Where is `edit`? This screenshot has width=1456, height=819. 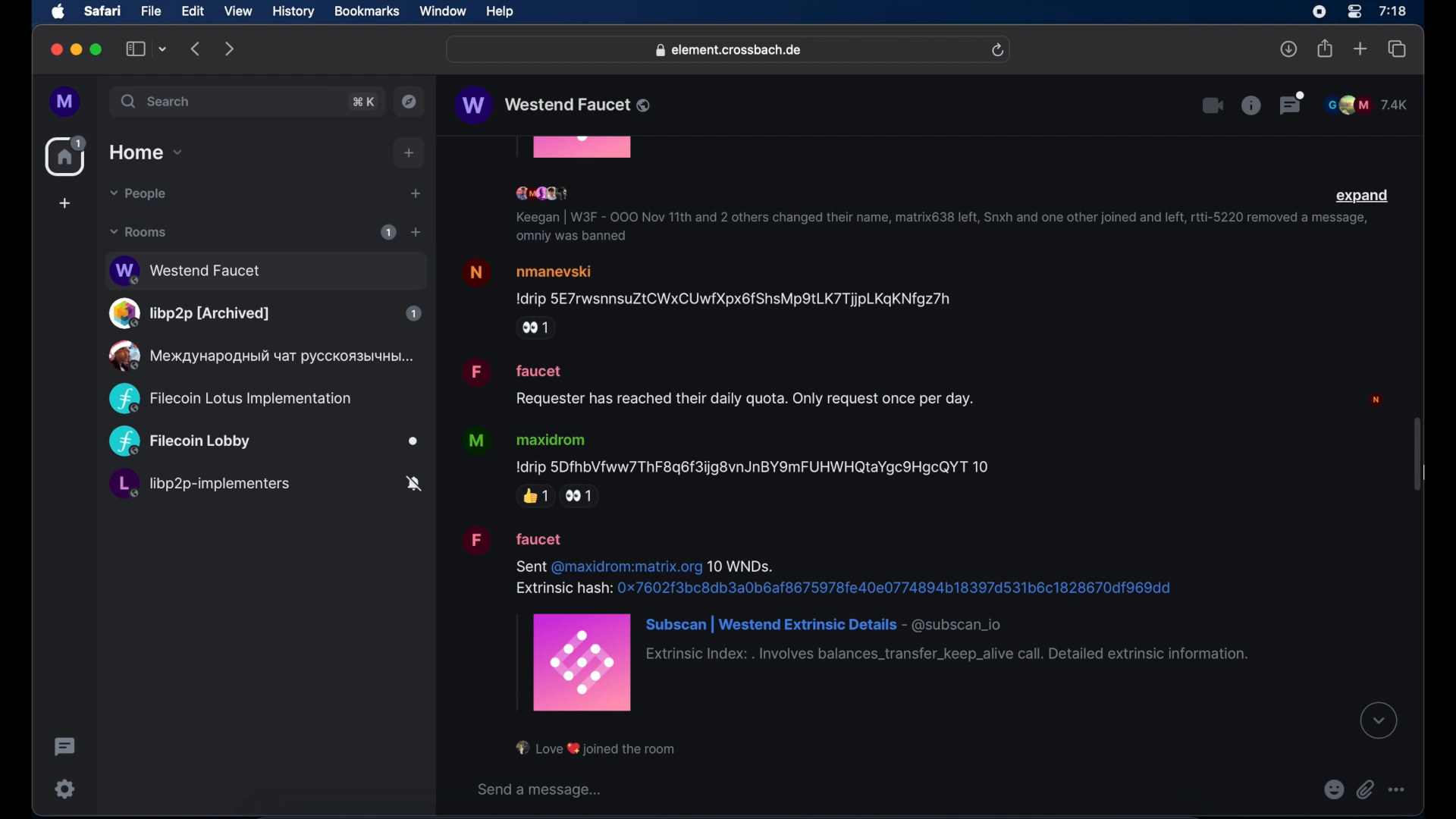
edit is located at coordinates (193, 11).